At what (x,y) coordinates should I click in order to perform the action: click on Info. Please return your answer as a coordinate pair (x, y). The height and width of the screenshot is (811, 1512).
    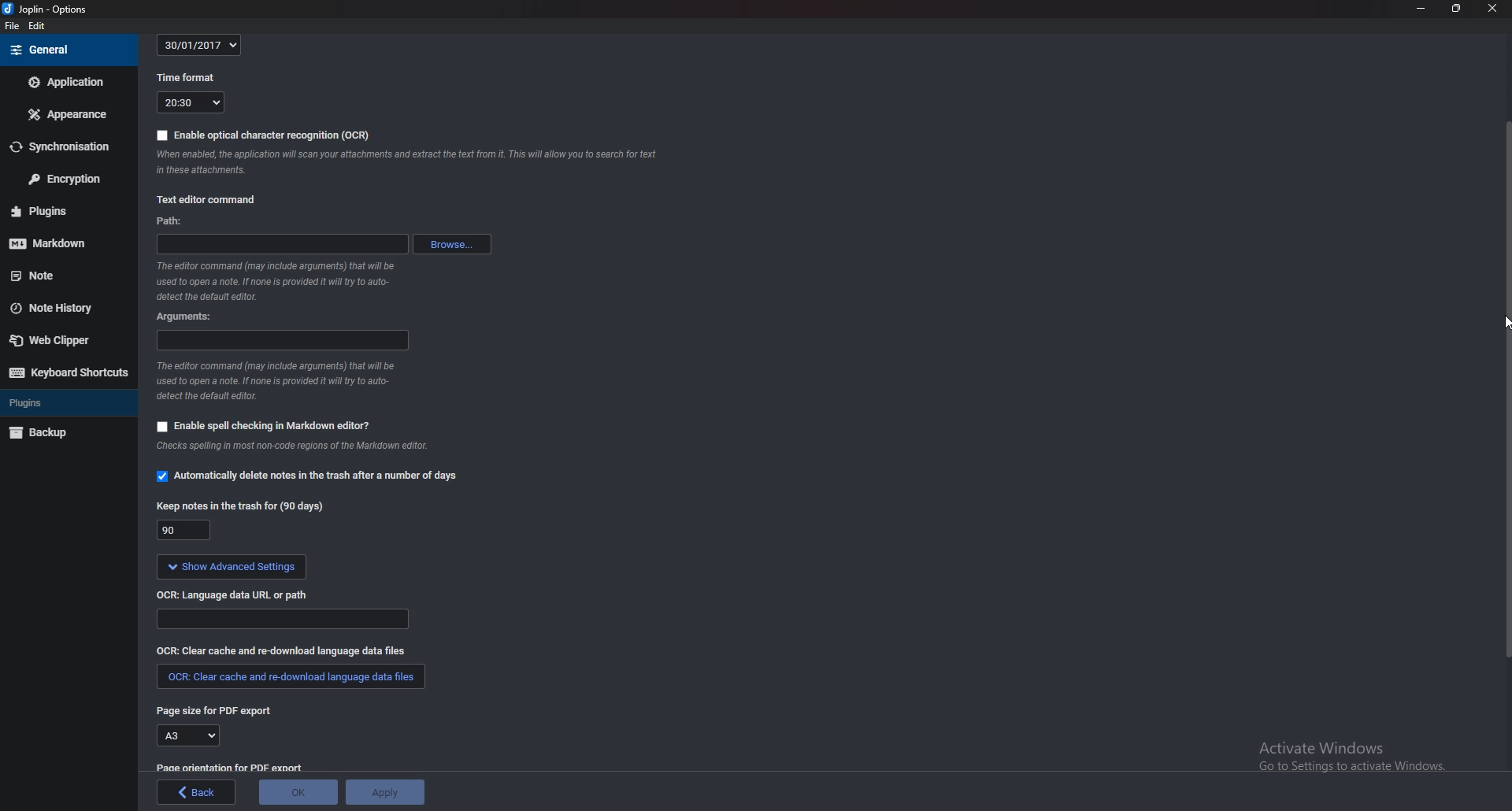
    Looking at the image, I should click on (282, 280).